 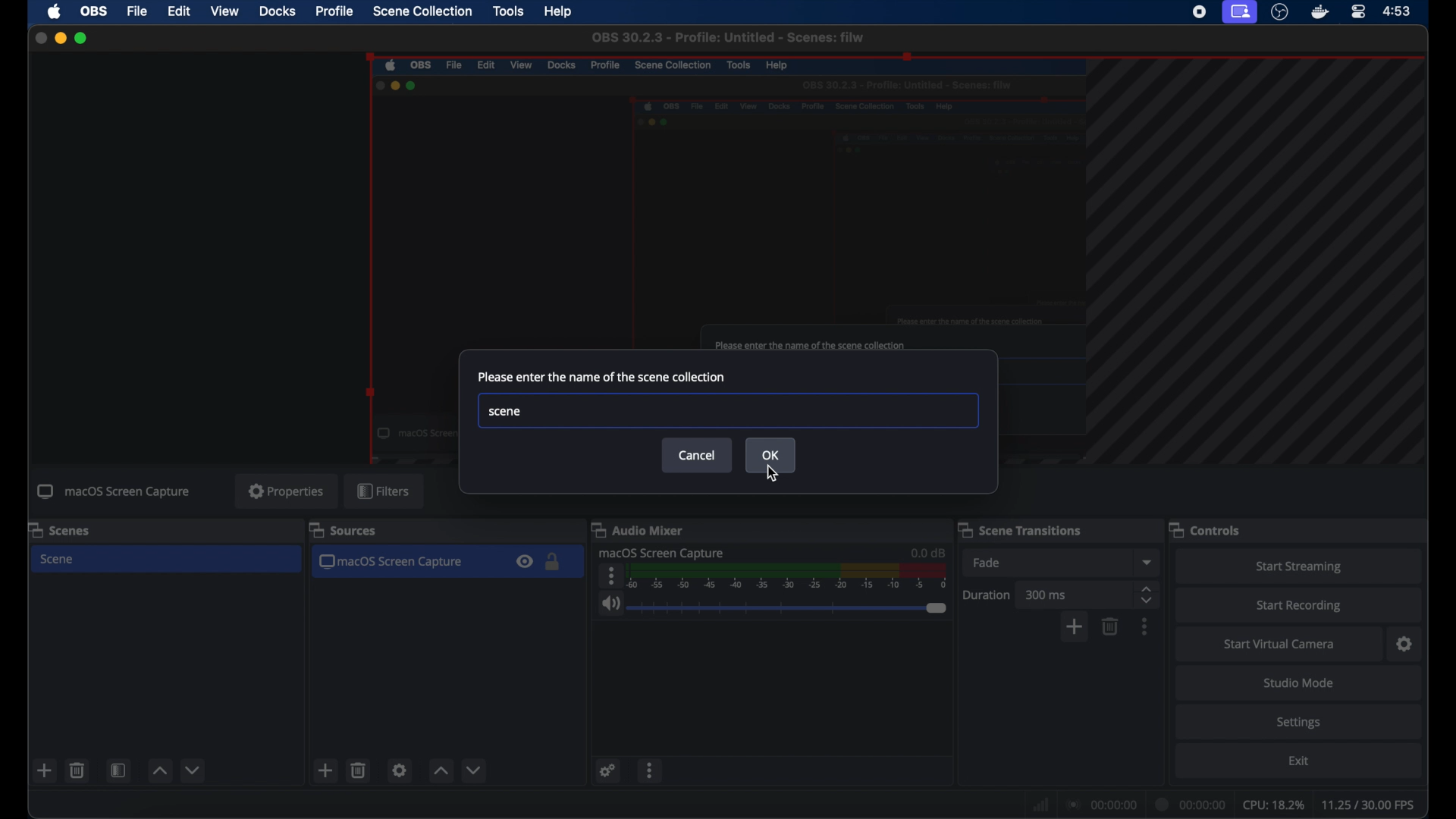 I want to click on add scene transition, so click(x=1075, y=628).